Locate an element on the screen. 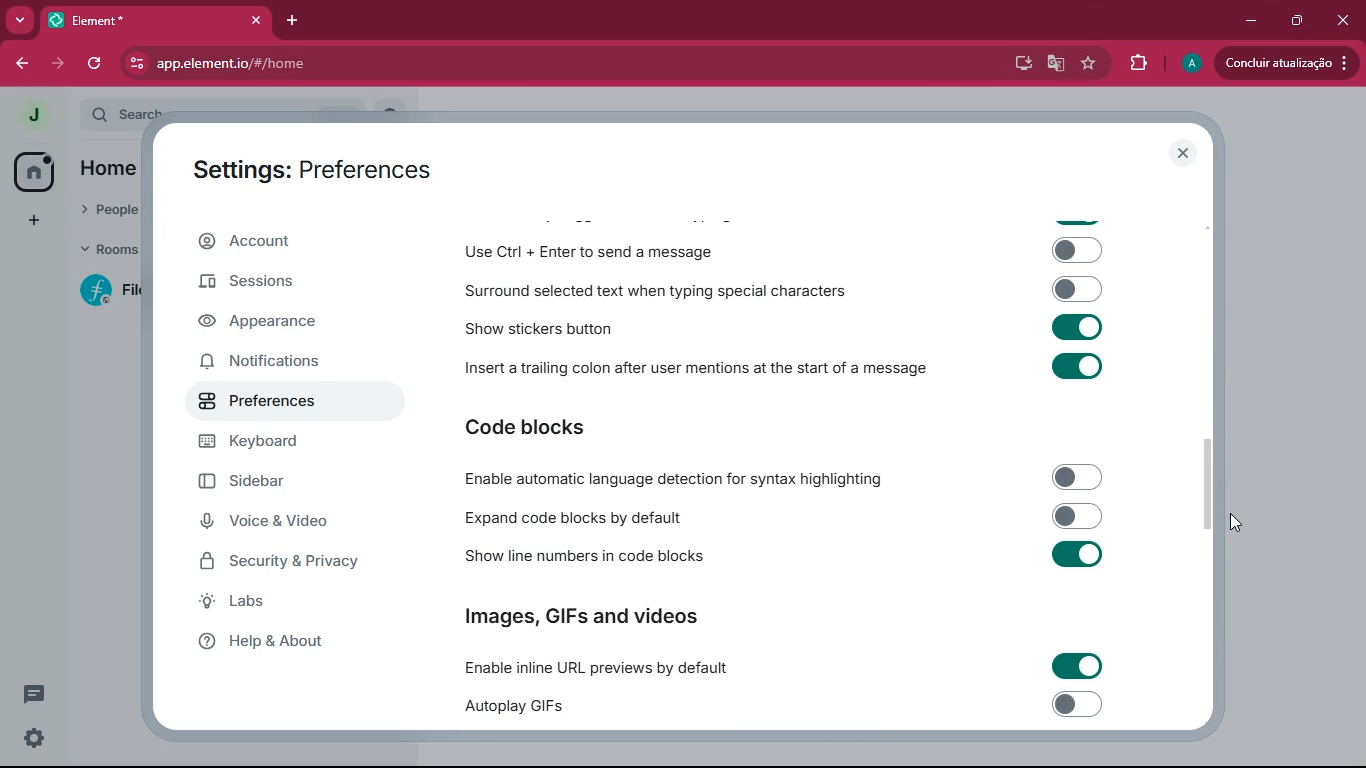  profile is located at coordinates (1189, 64).